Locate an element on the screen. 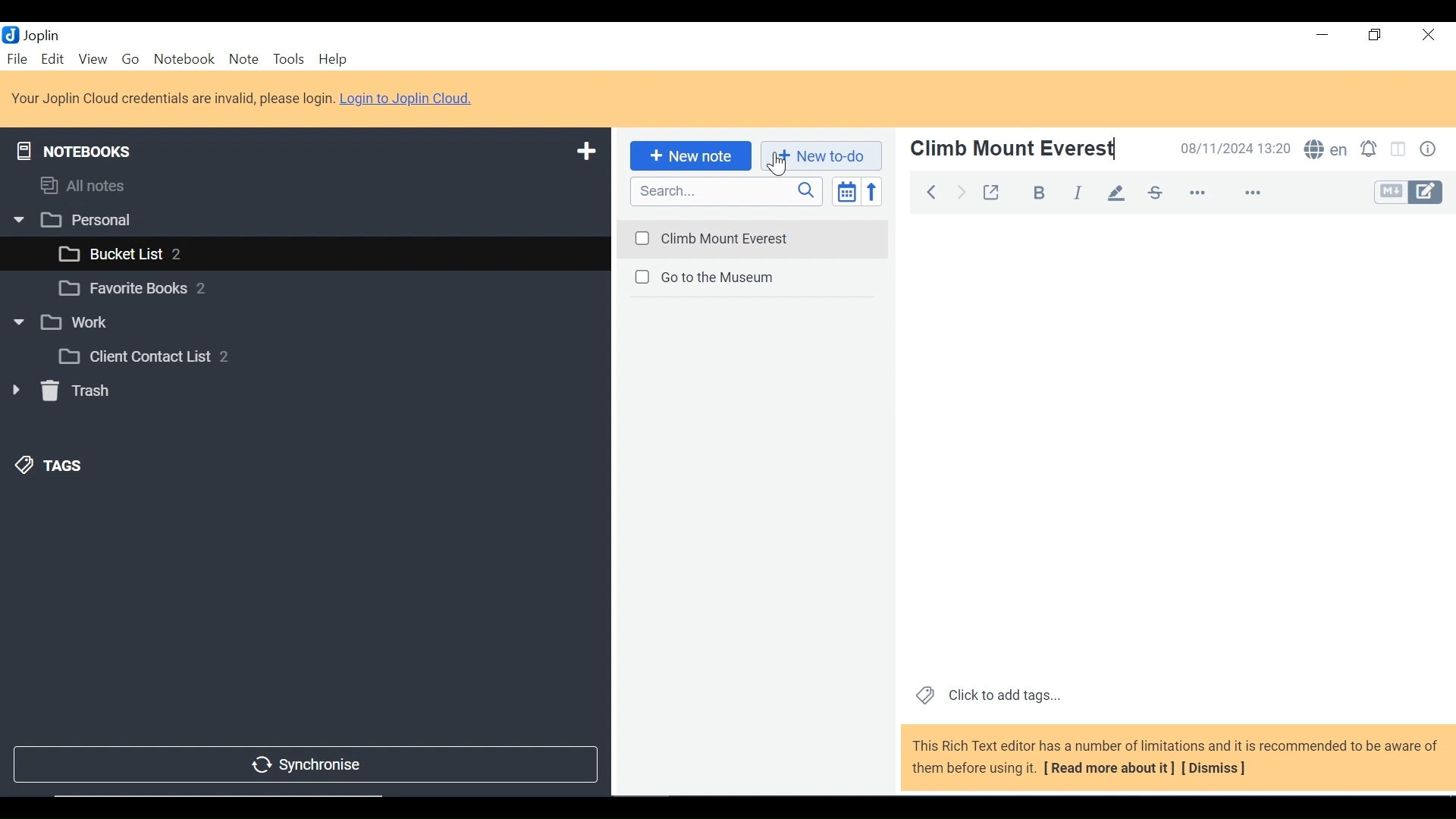 The image size is (1456, 819). Note Name is located at coordinates (752, 279).